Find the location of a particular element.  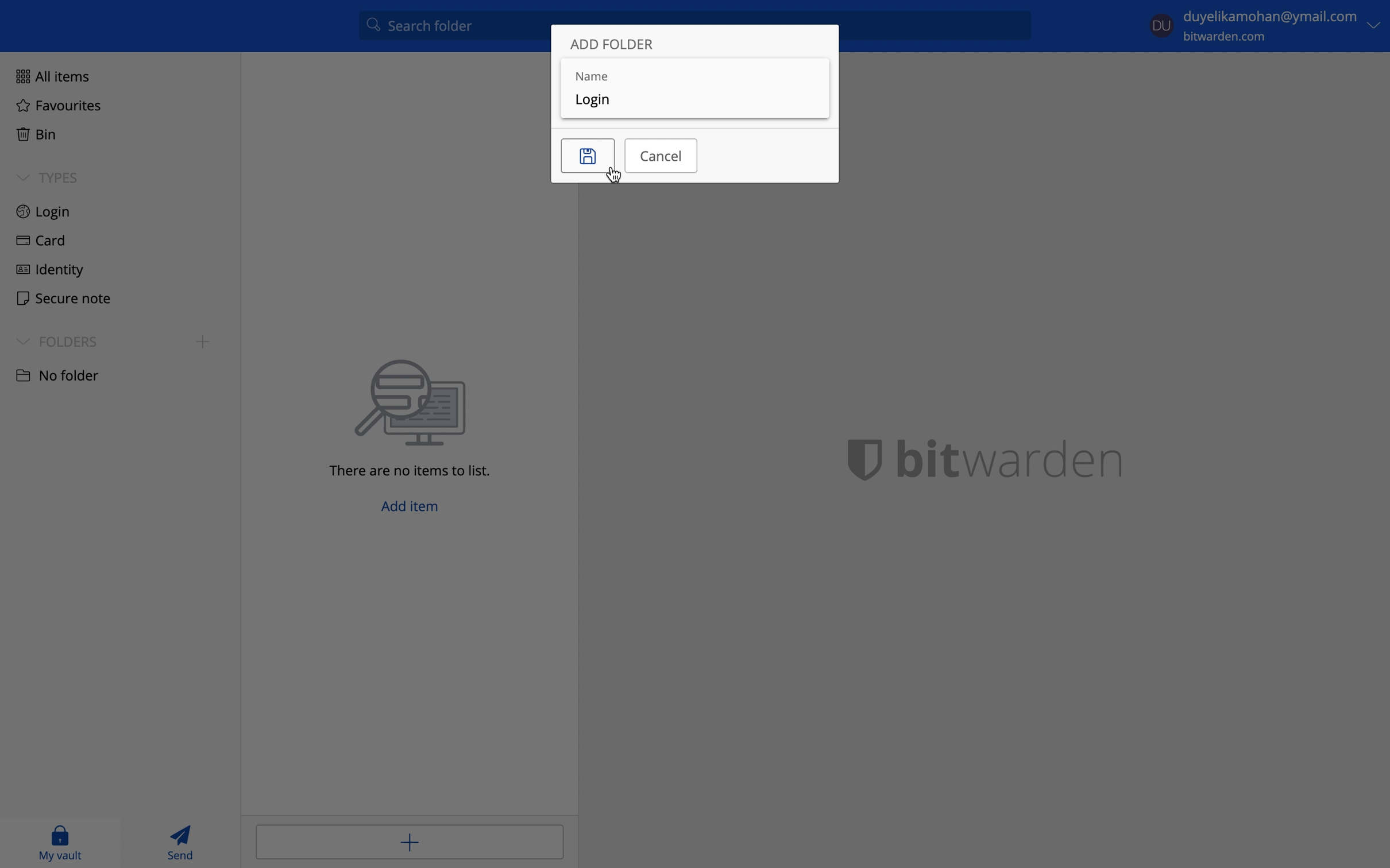

identity is located at coordinates (50, 268).